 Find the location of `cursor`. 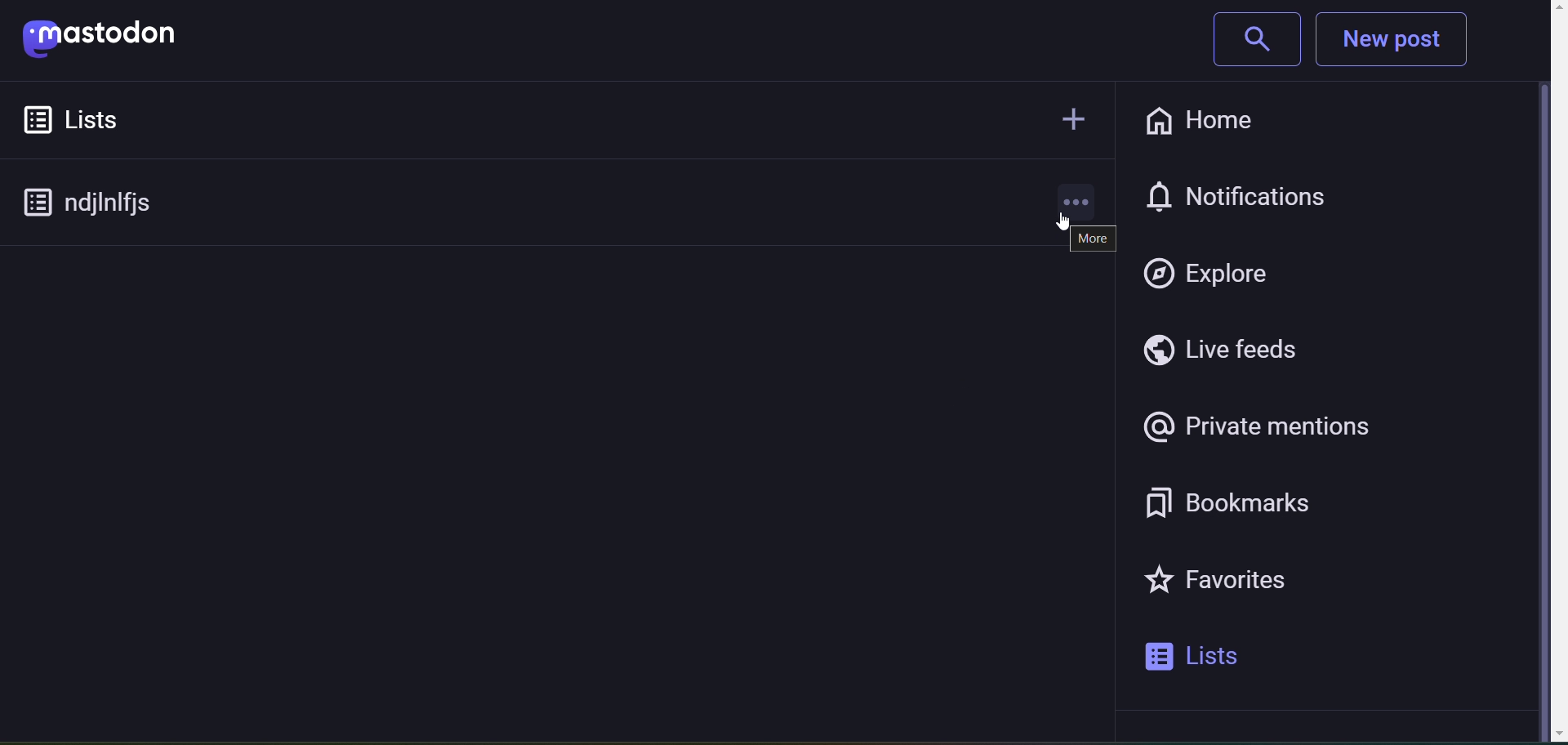

cursor is located at coordinates (1051, 225).